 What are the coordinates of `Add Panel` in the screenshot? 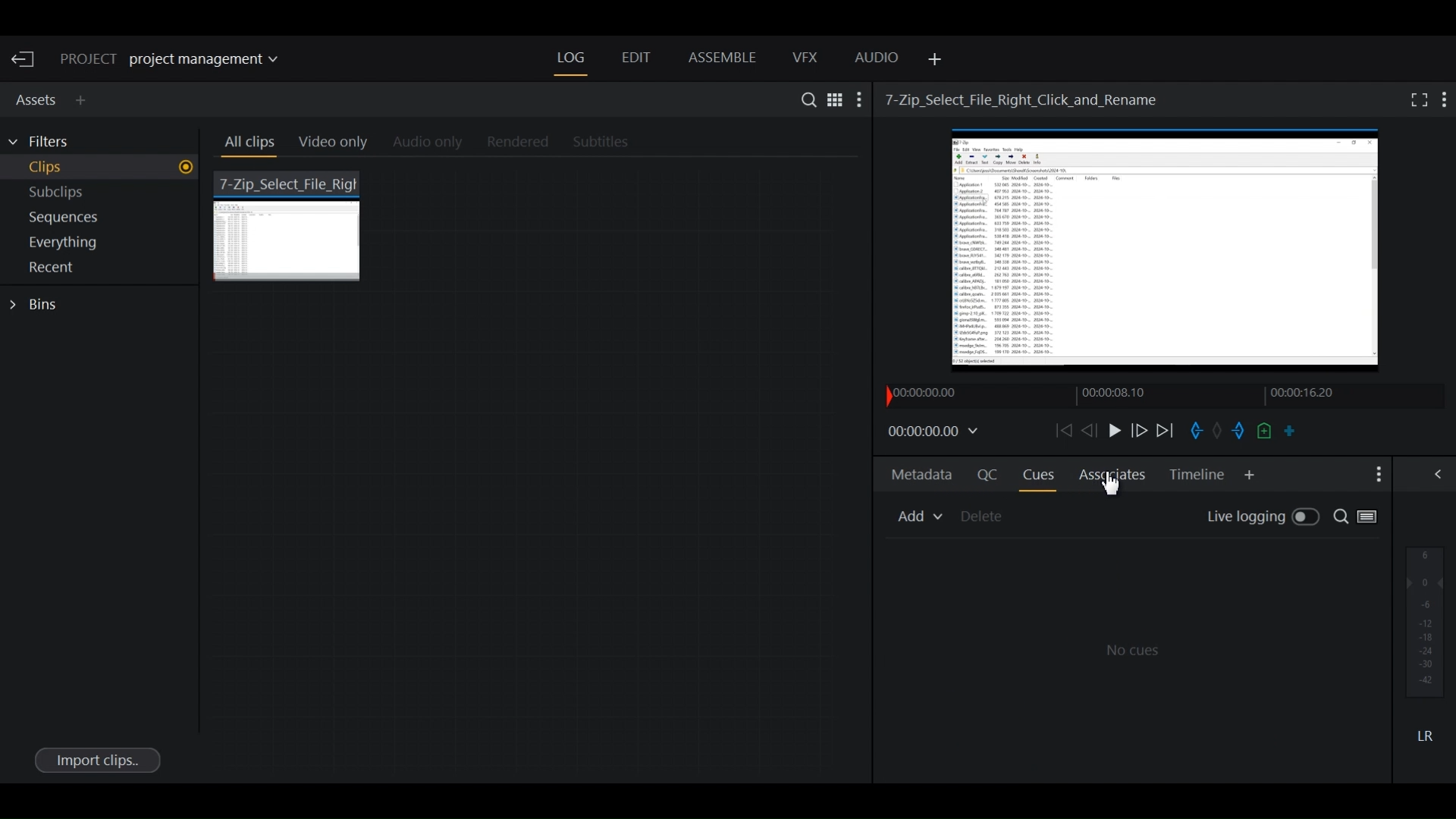 It's located at (932, 60).